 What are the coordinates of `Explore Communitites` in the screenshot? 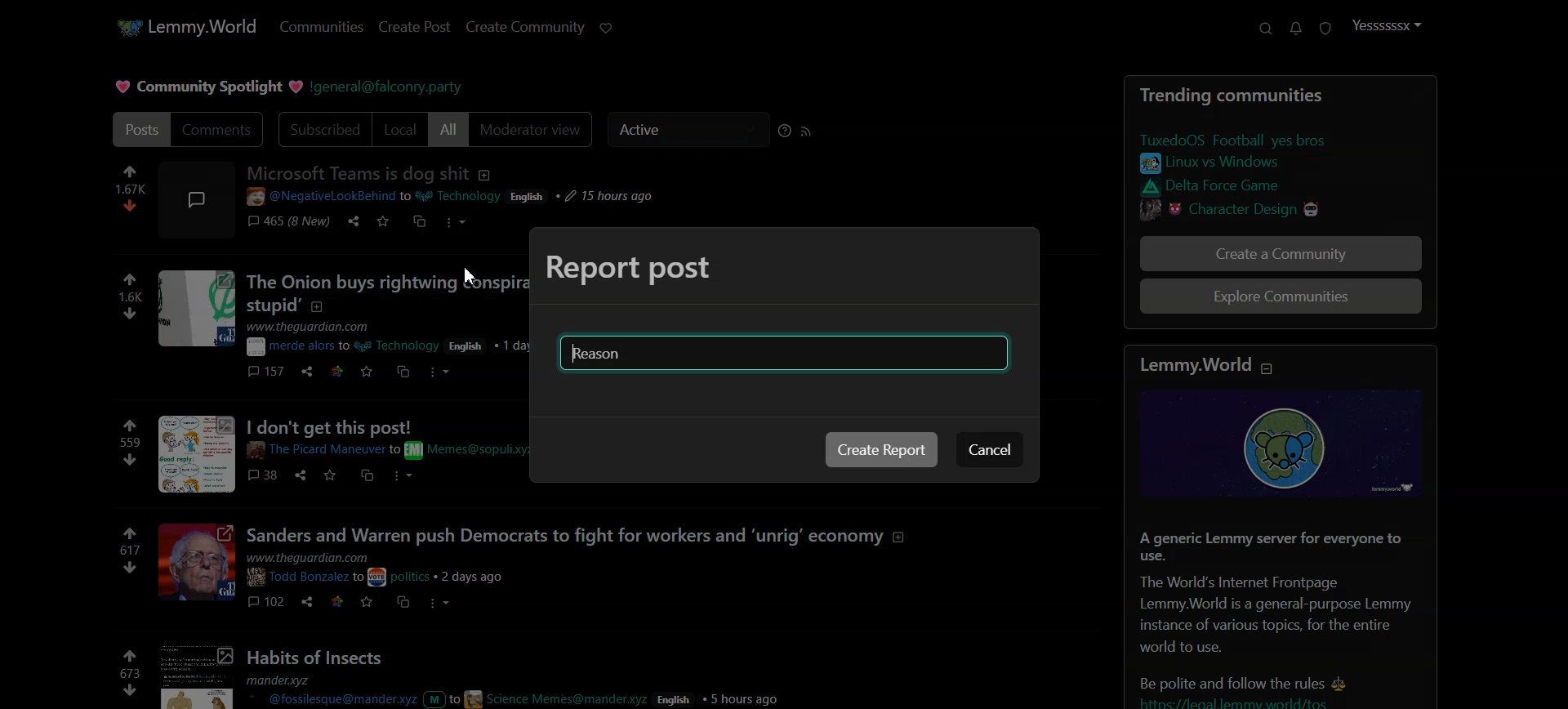 It's located at (1281, 297).